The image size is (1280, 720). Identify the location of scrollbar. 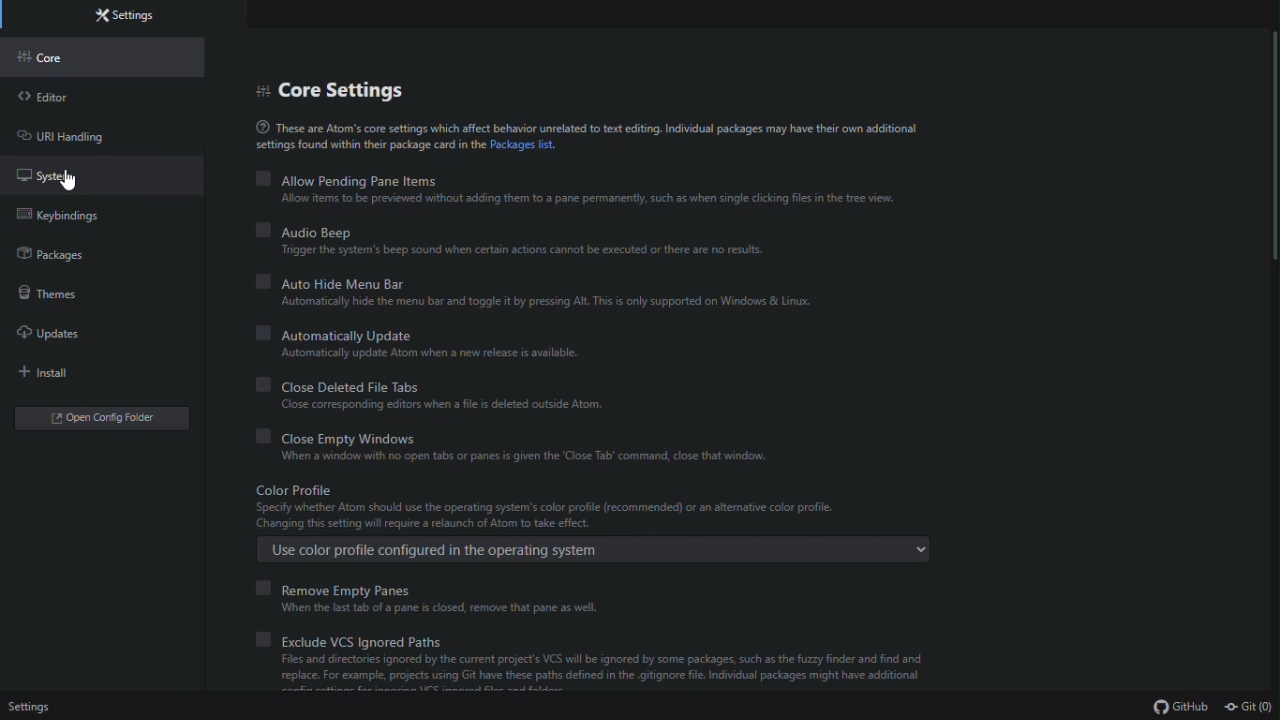
(1272, 161).